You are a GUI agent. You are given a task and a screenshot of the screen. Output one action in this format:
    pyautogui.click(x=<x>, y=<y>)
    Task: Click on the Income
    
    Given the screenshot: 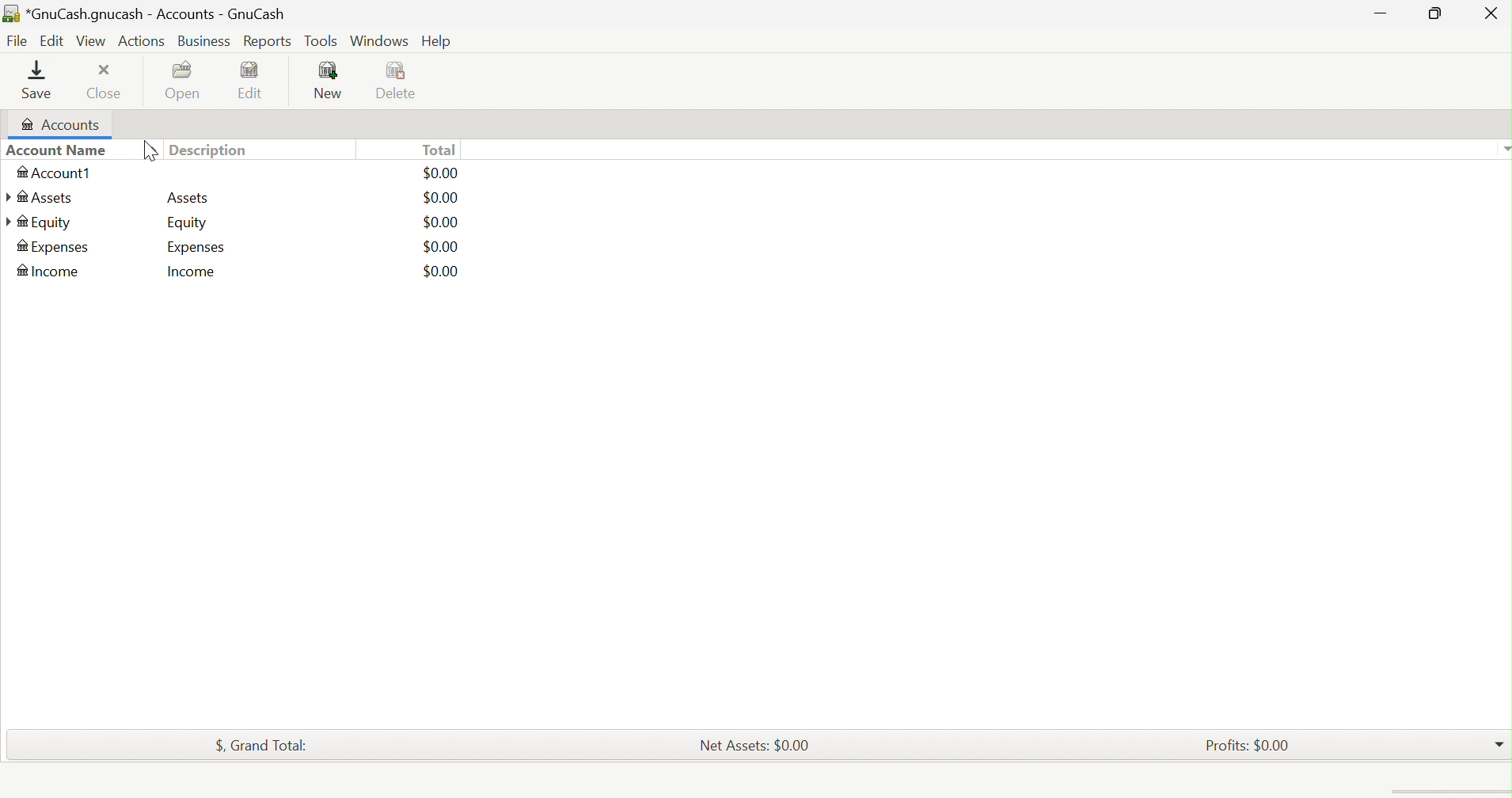 What is the action you would take?
    pyautogui.click(x=51, y=246)
    